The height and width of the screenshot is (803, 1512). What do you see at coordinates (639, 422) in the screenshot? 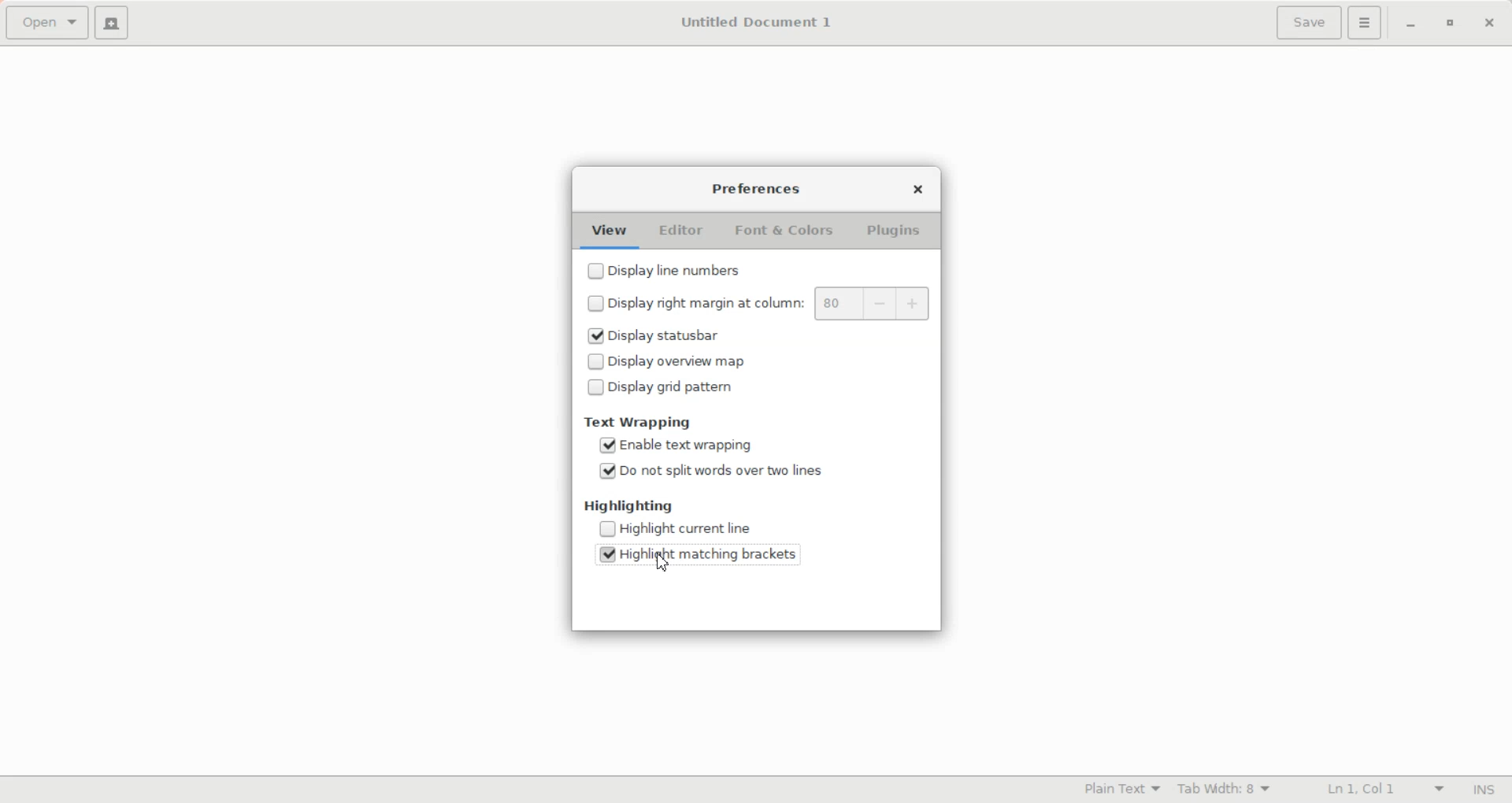
I see `Text Wrapping` at bounding box center [639, 422].